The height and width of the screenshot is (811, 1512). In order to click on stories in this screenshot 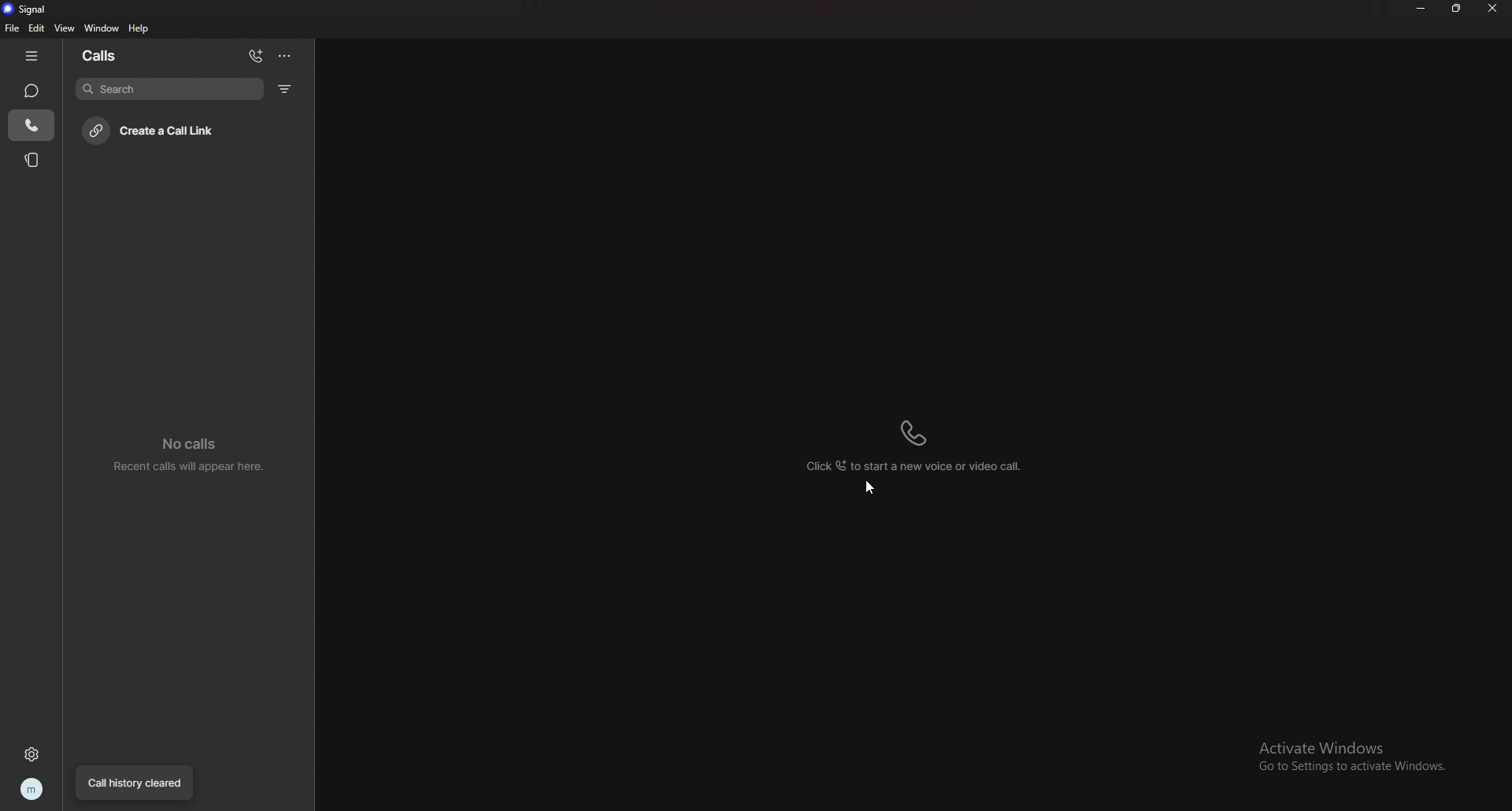, I will do `click(34, 160)`.